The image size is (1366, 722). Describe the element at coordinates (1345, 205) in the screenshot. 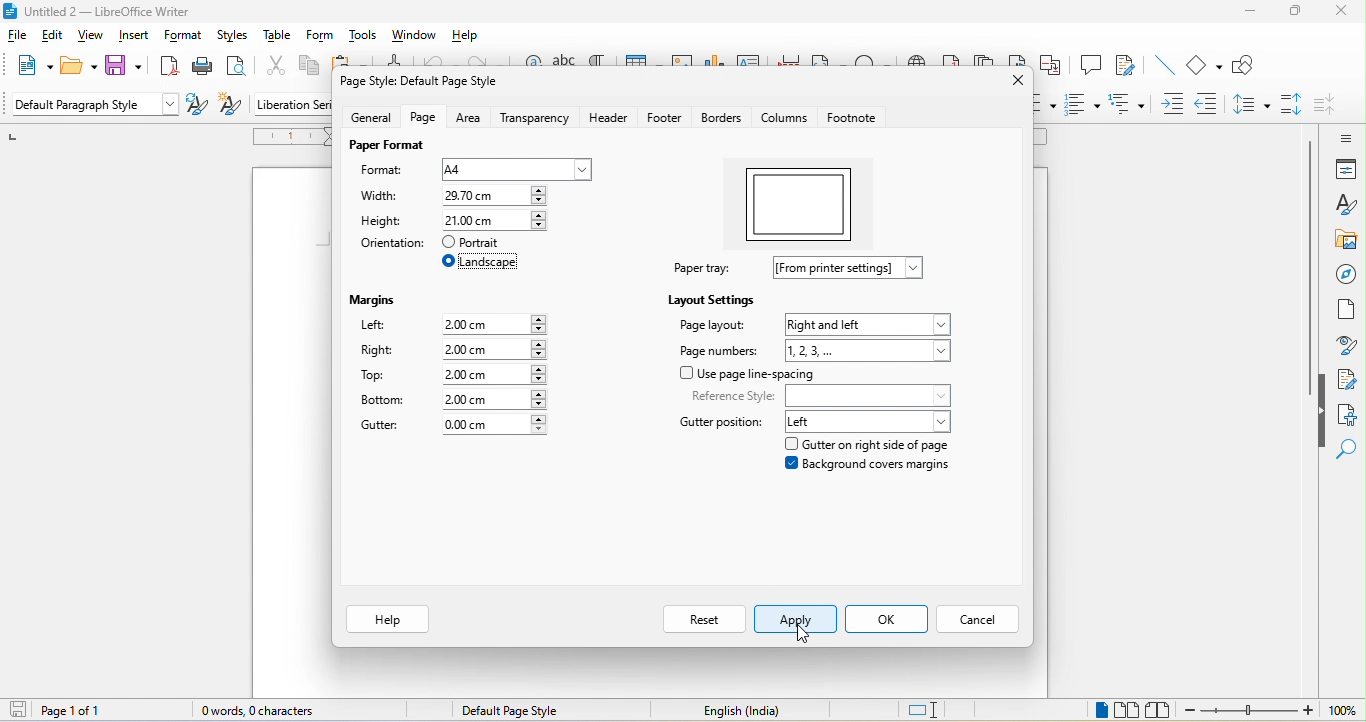

I see `styles` at that location.